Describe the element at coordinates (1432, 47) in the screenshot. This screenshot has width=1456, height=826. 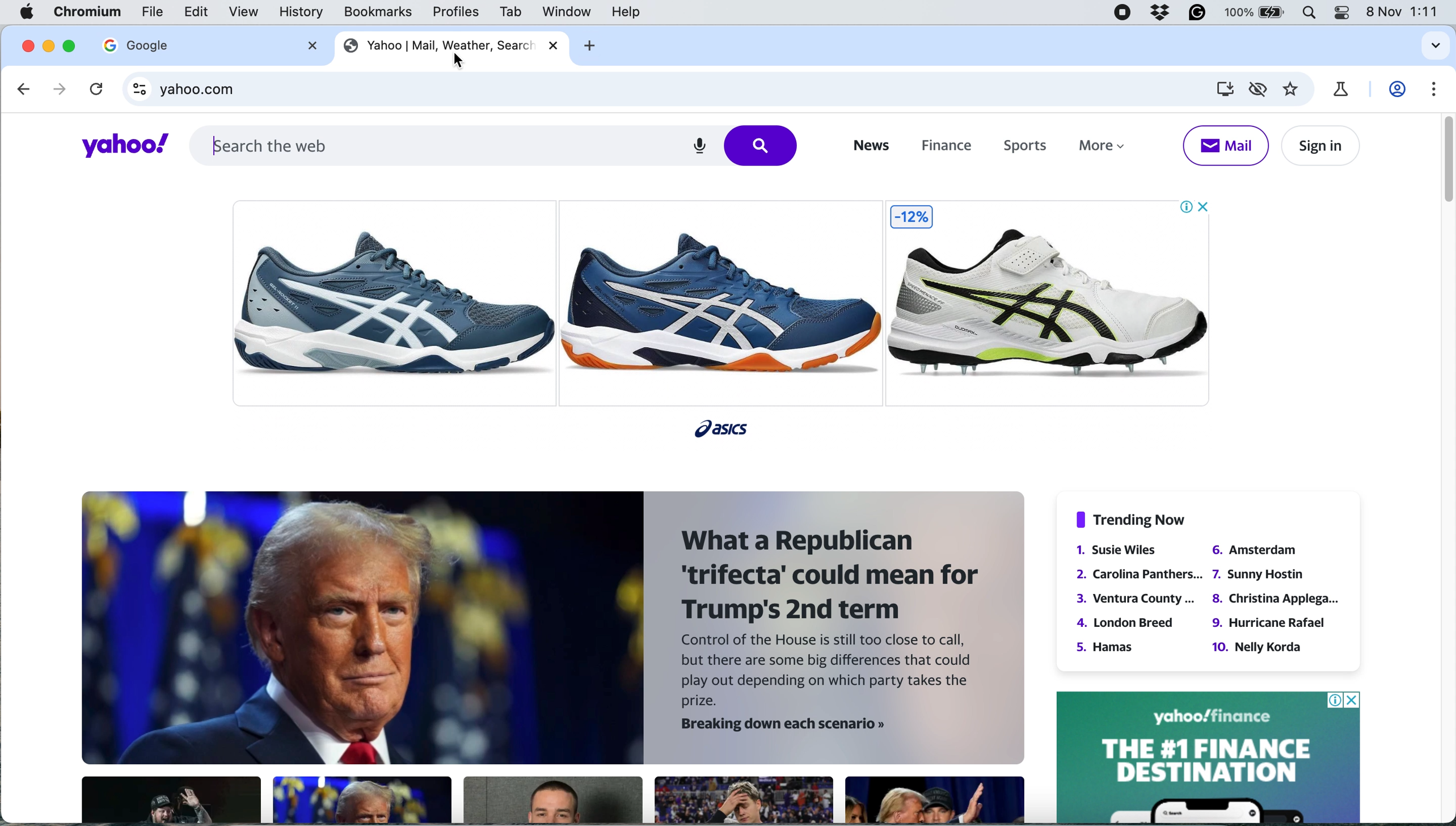
I see `search tabs` at that location.